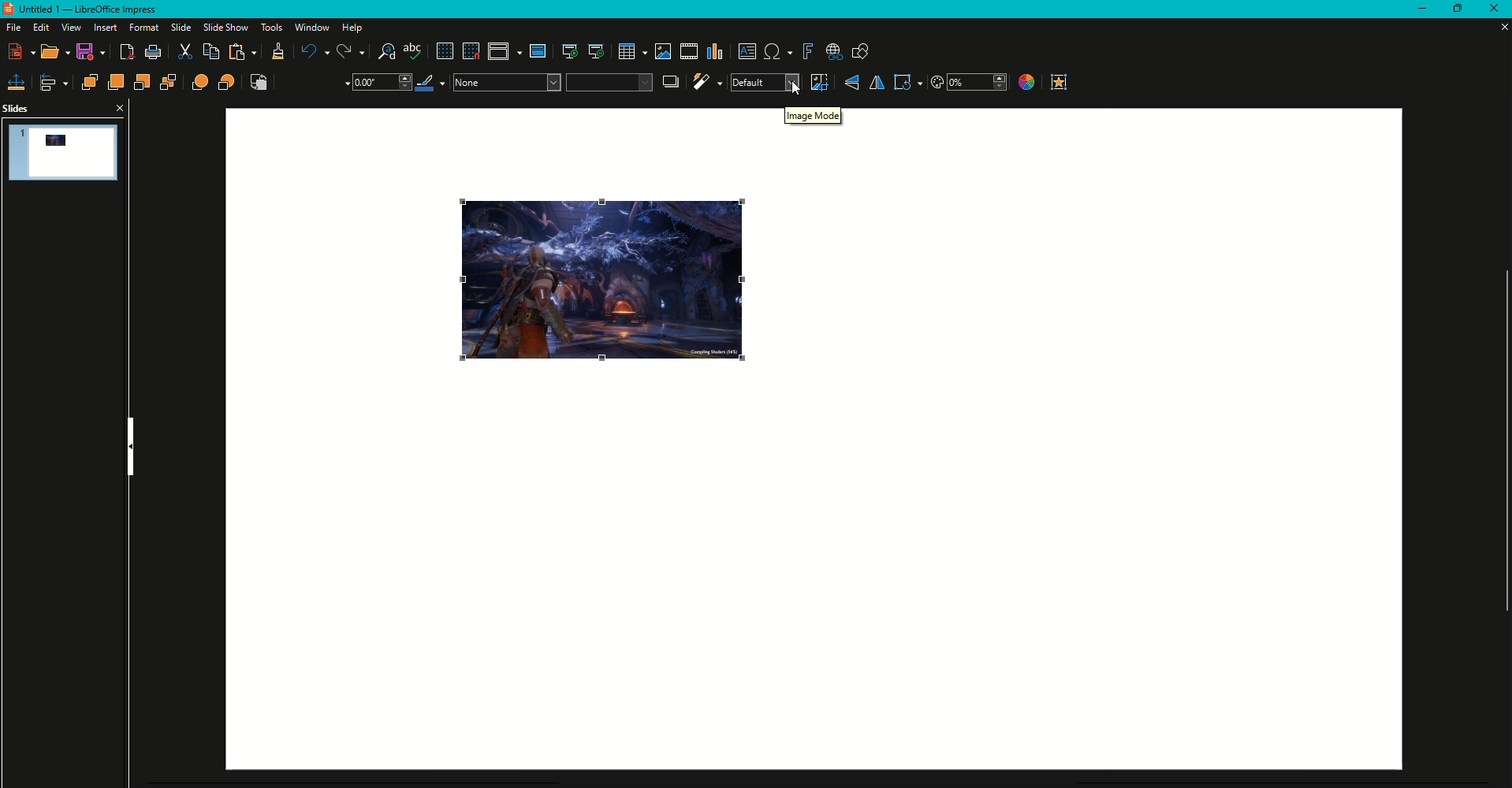 This screenshot has width=1512, height=788. I want to click on In front, so click(201, 83).